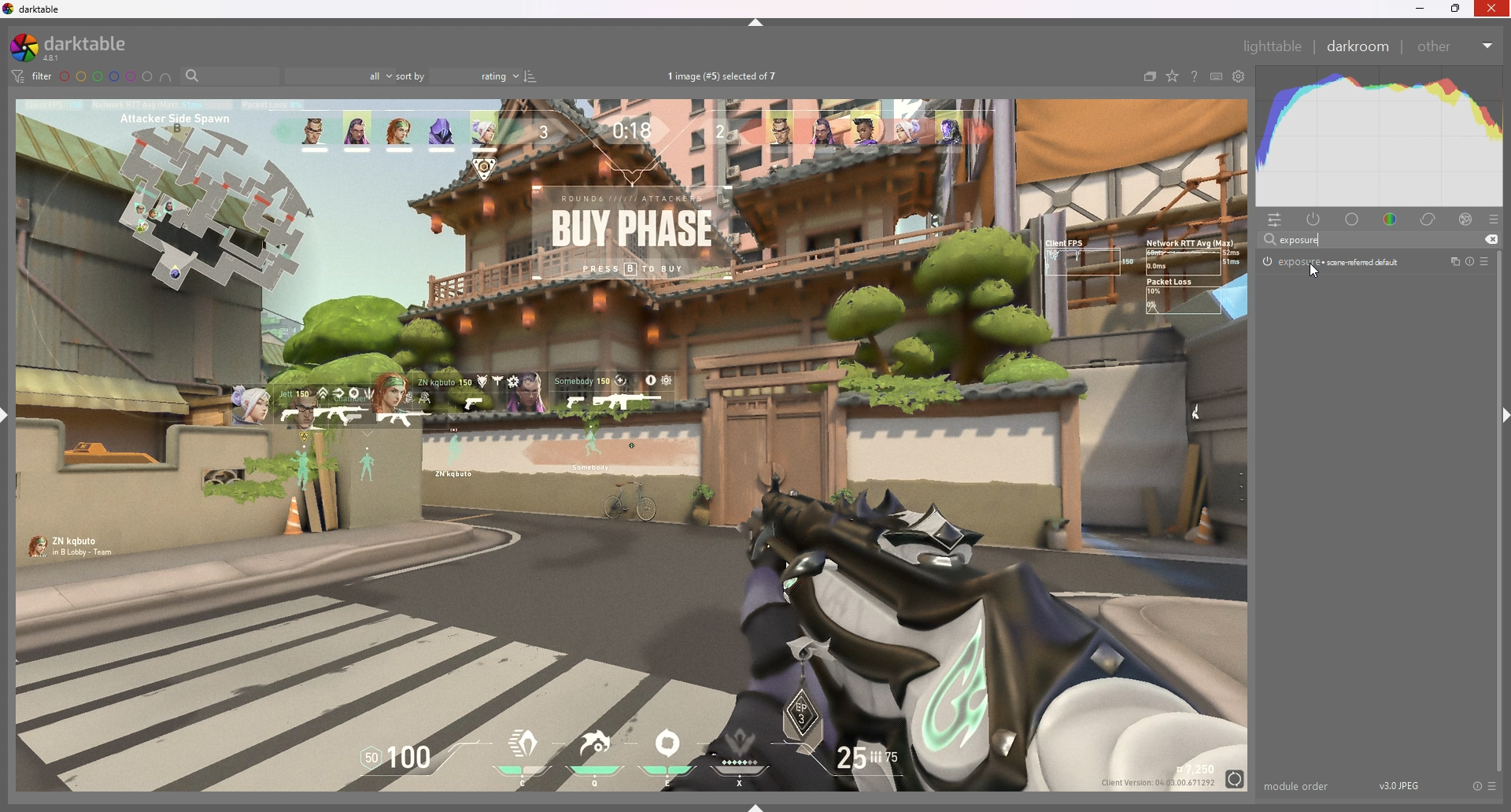 Image resolution: width=1511 pixels, height=812 pixels. What do you see at coordinates (106, 77) in the screenshot?
I see `color labels` at bounding box center [106, 77].